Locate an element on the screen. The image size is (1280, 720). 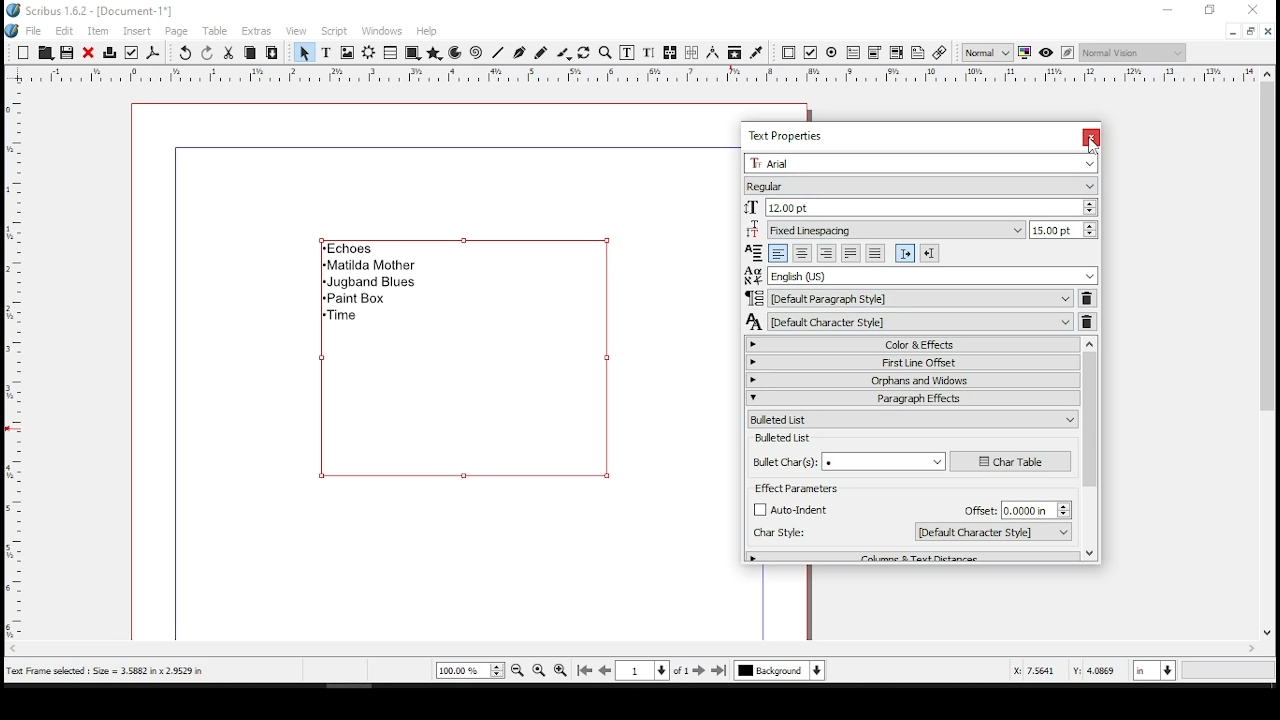
vertical scale is located at coordinates (11, 363).